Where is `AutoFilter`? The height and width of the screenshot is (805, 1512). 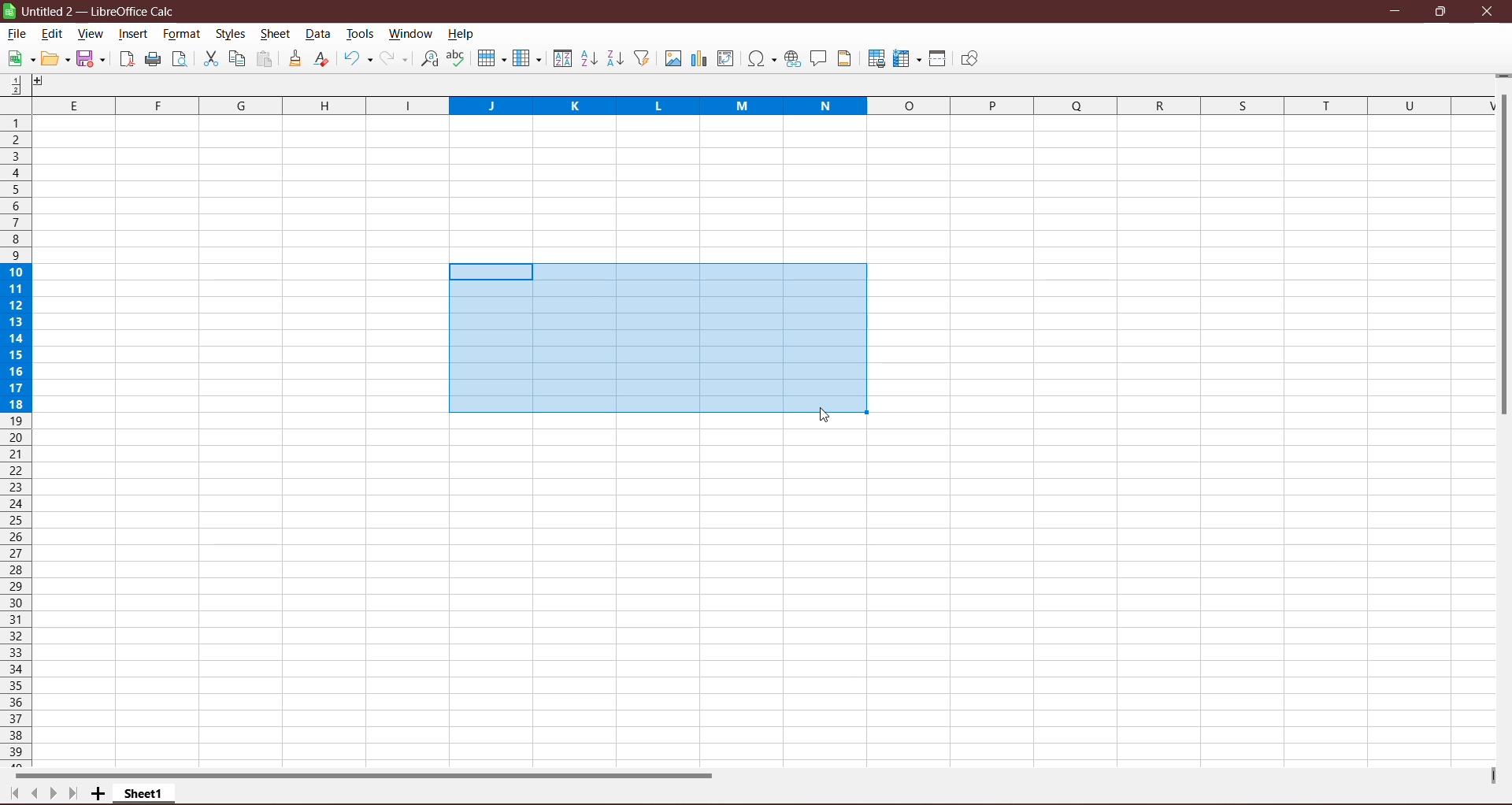
AutoFilter is located at coordinates (643, 58).